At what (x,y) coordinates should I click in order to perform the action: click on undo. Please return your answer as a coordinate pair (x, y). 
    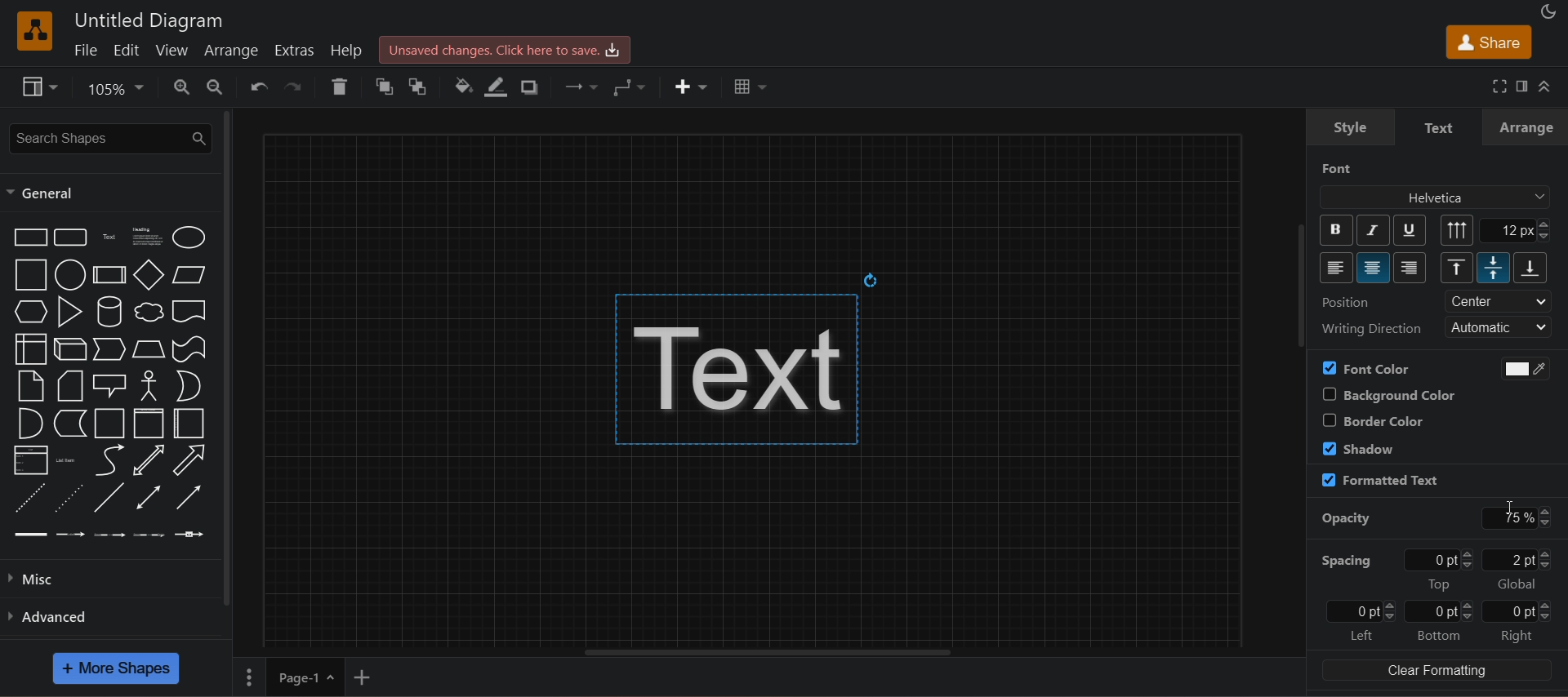
    Looking at the image, I should click on (257, 87).